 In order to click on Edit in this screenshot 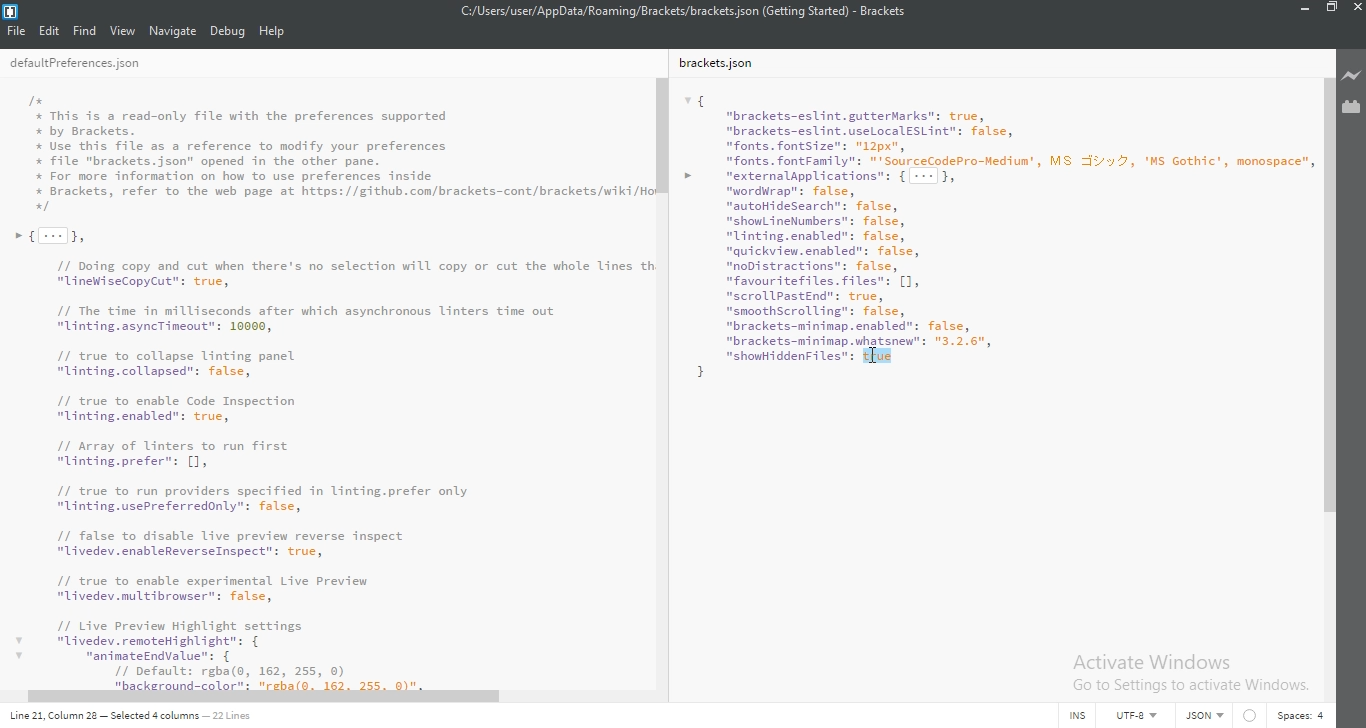, I will do `click(49, 31)`.